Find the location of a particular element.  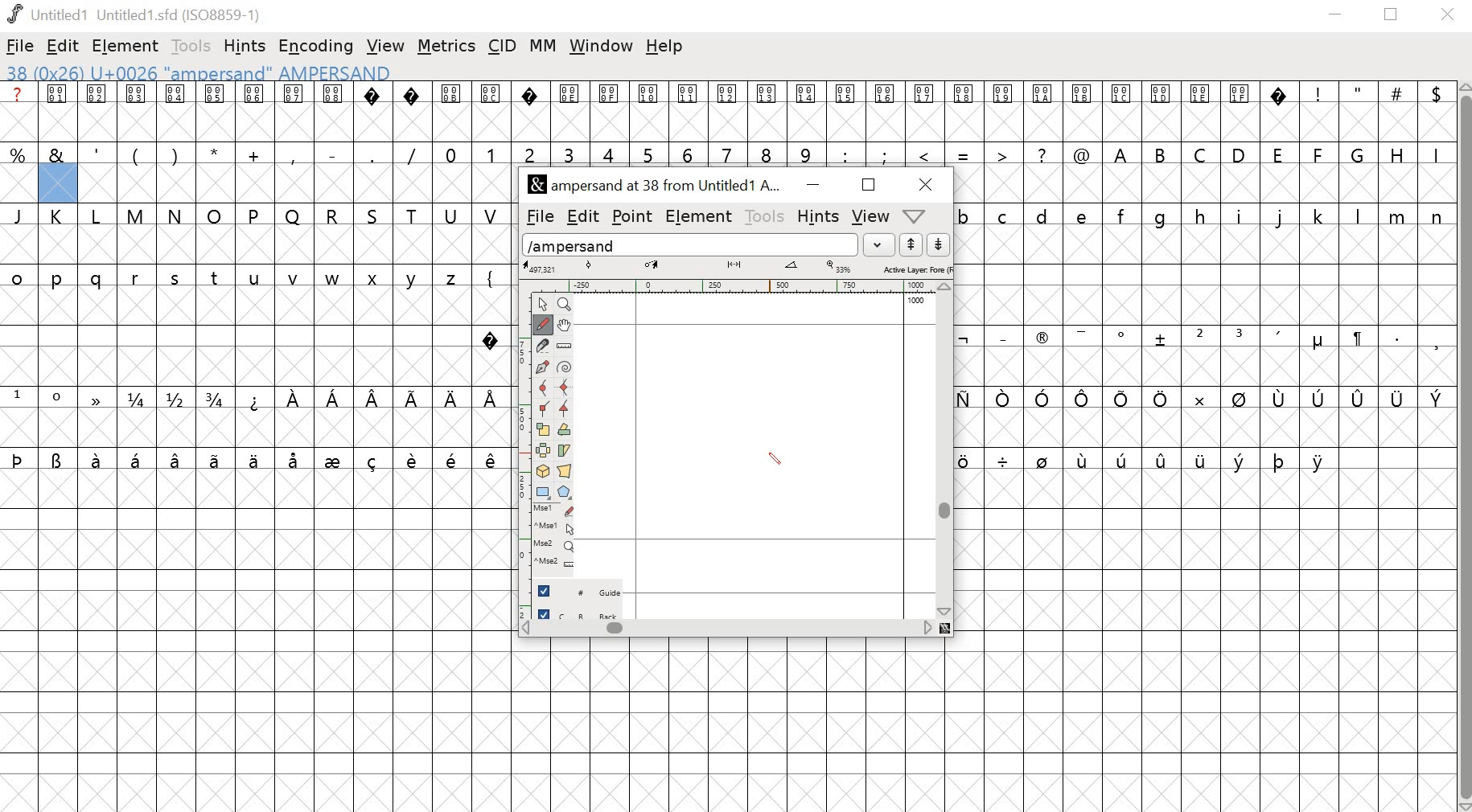

< is located at coordinates (927, 154).